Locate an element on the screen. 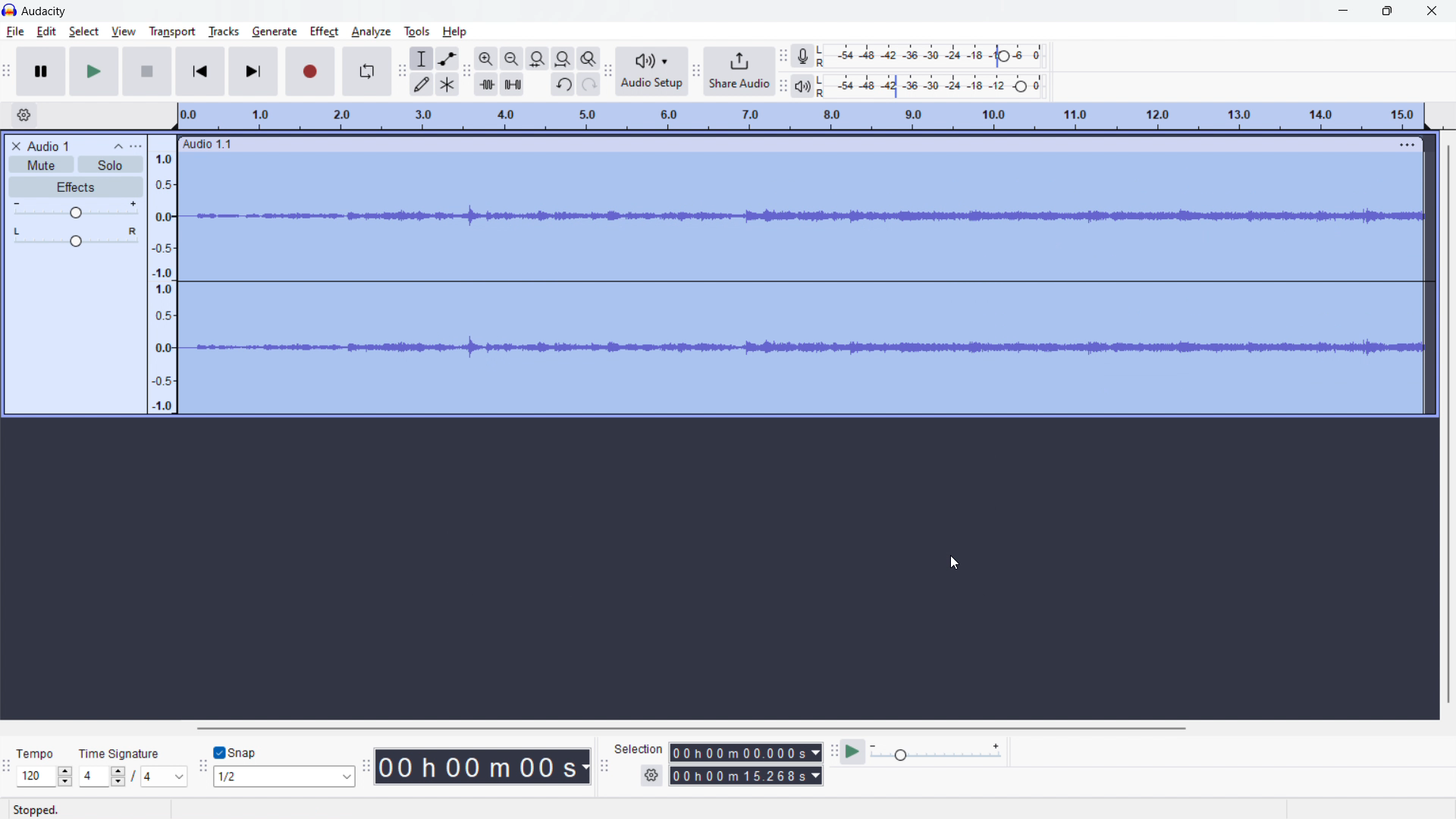 This screenshot has height=819, width=1456. envelop tool is located at coordinates (447, 58).